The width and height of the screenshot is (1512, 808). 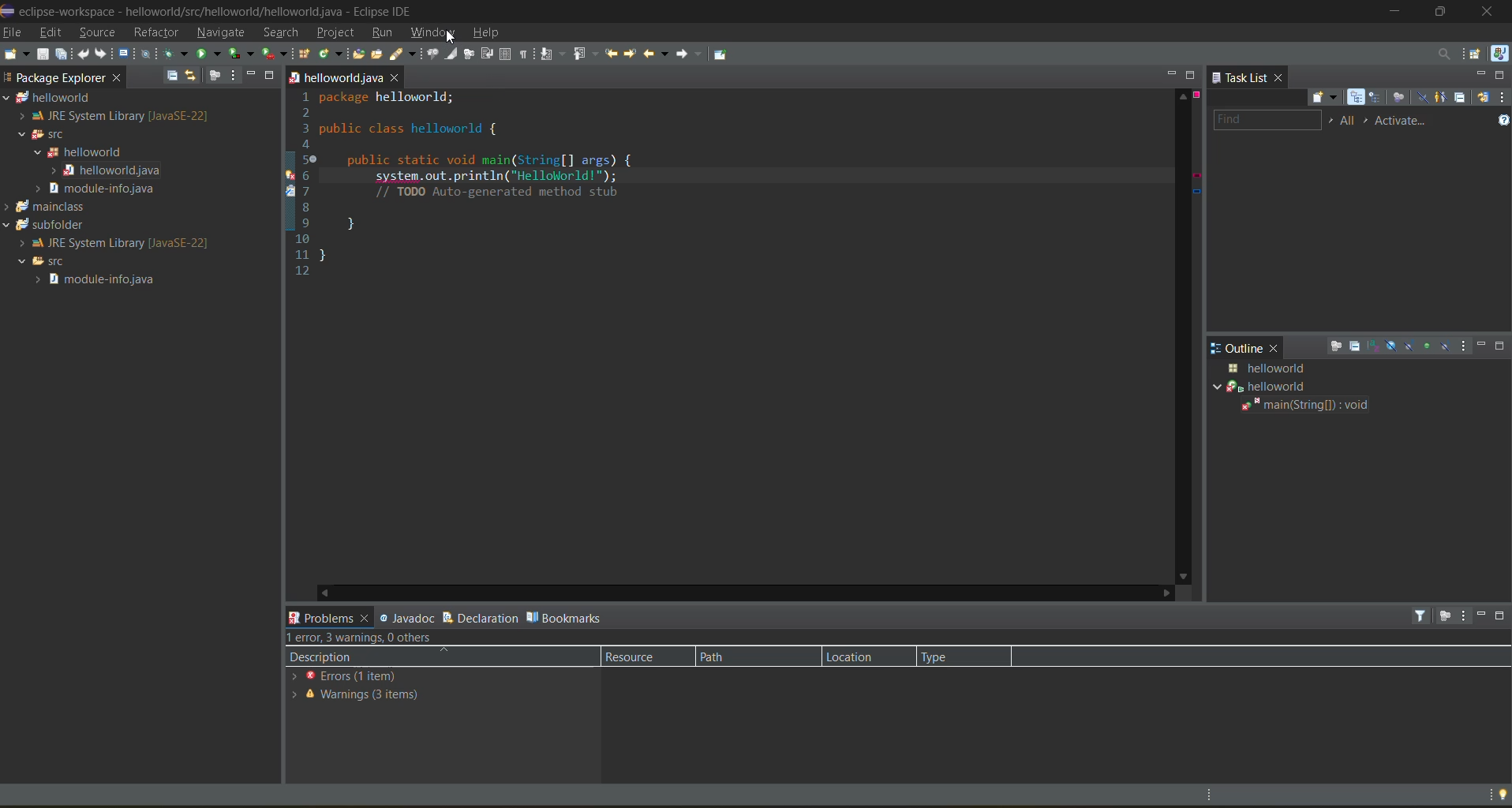 What do you see at coordinates (1331, 122) in the screenshot?
I see `select working set` at bounding box center [1331, 122].